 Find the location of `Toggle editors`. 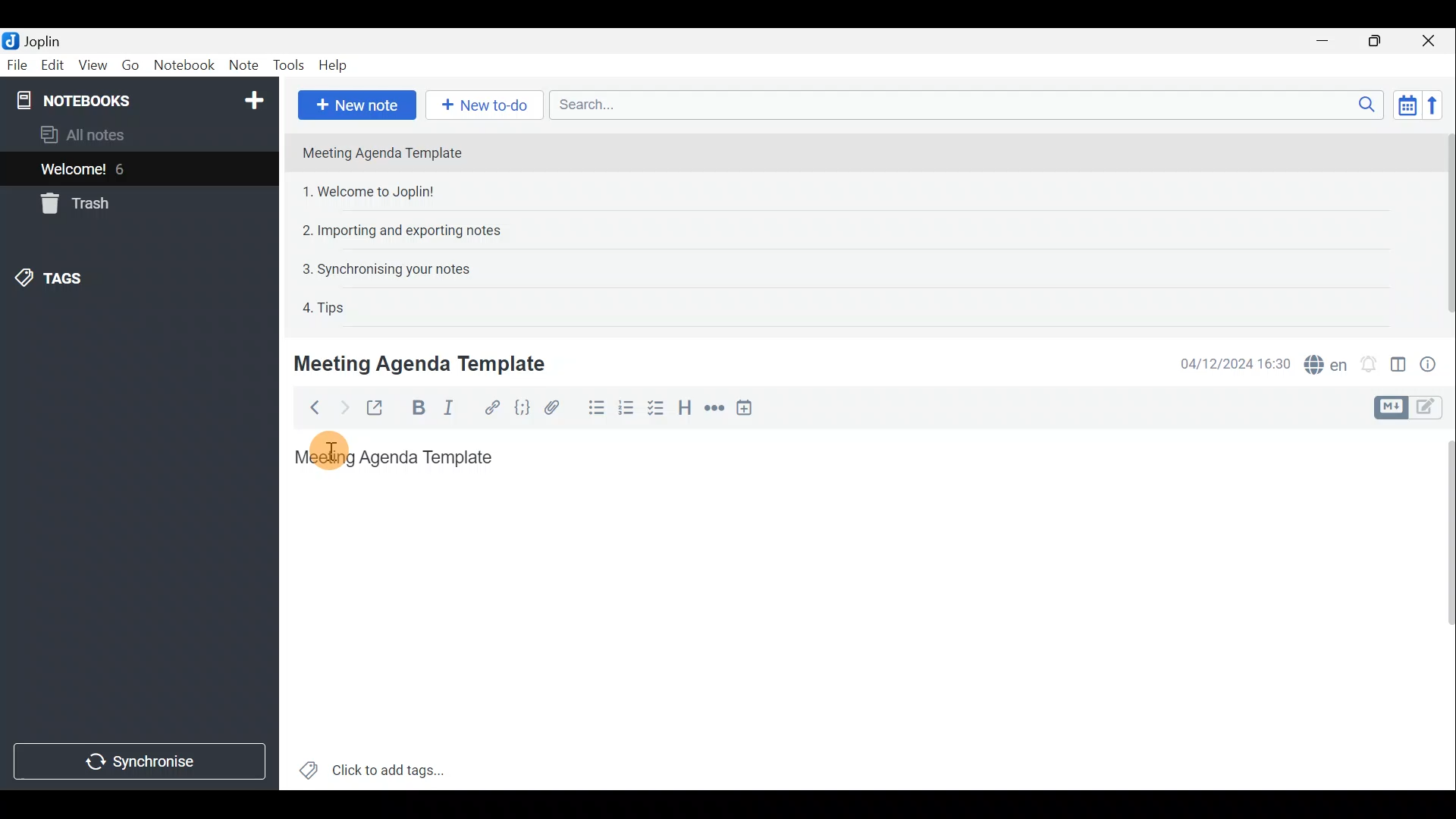

Toggle editors is located at coordinates (1429, 409).